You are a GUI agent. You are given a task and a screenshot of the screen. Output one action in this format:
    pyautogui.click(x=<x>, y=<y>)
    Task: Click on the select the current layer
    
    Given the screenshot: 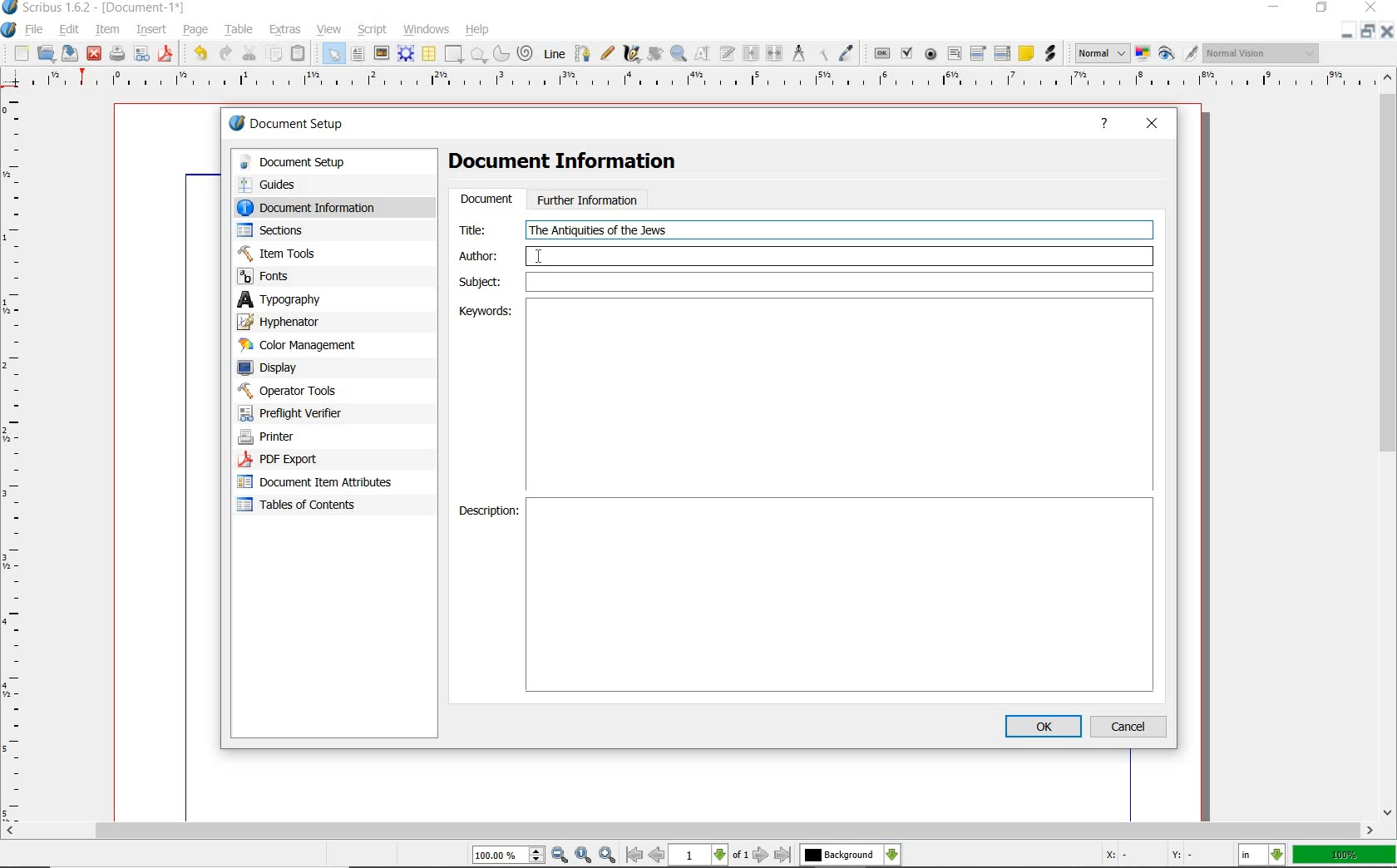 What is the action you would take?
    pyautogui.click(x=851, y=855)
    